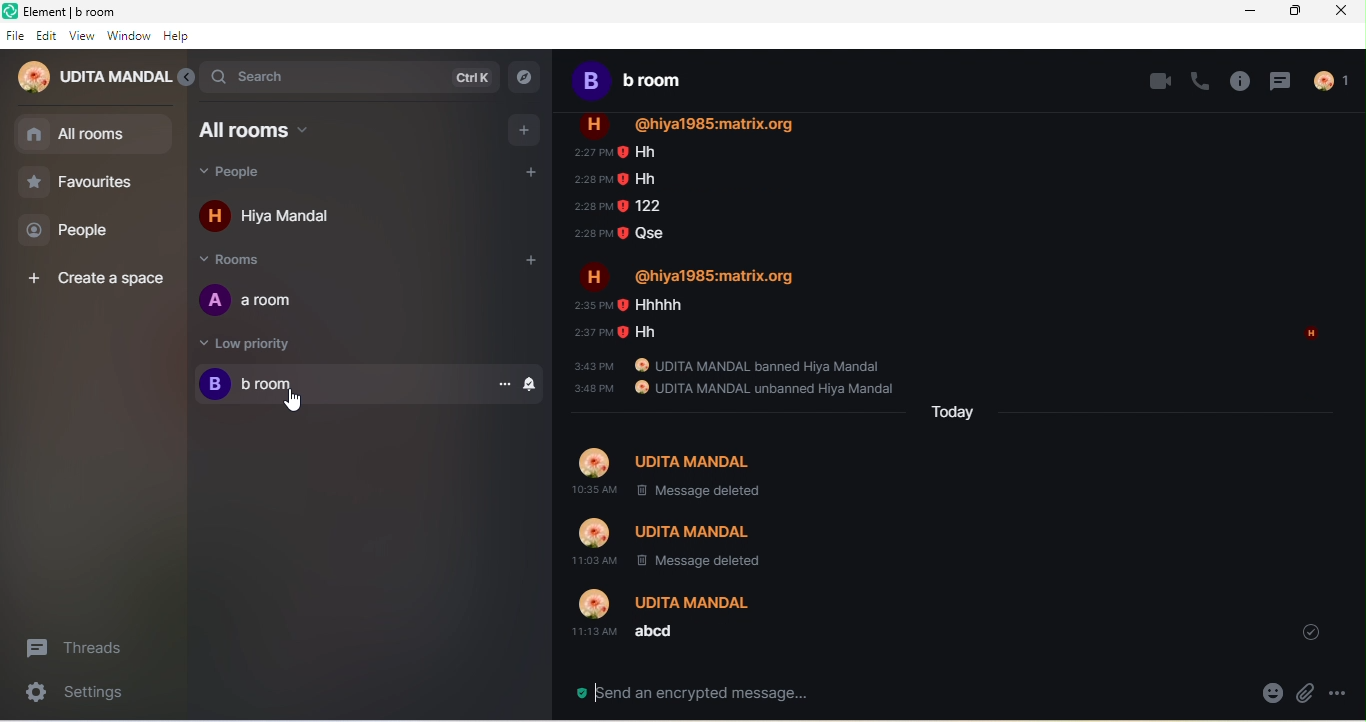 This screenshot has width=1366, height=722. Describe the element at coordinates (264, 303) in the screenshot. I see `a room` at that location.